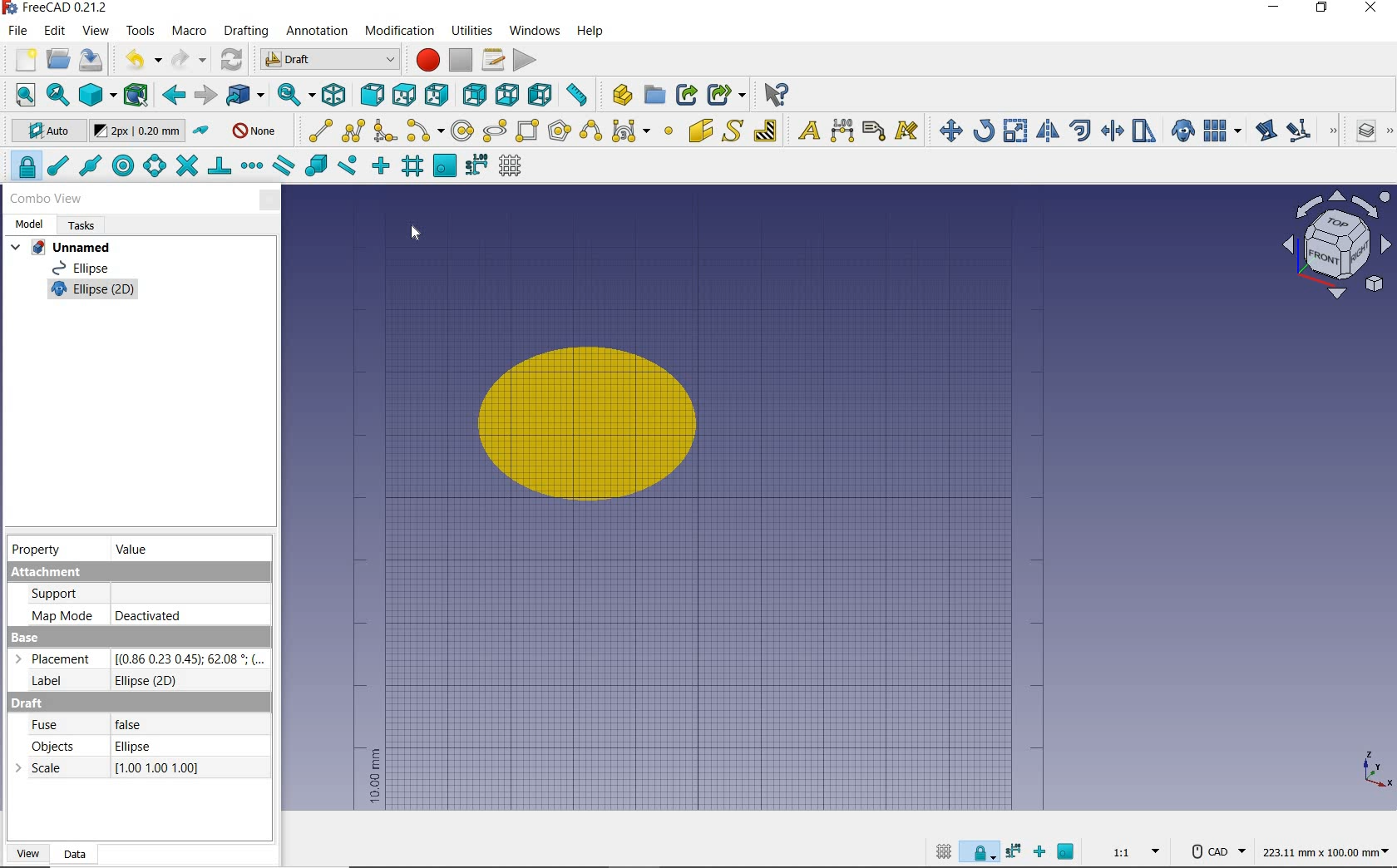 This screenshot has width=1397, height=868. I want to click on snap lock, so click(979, 855).